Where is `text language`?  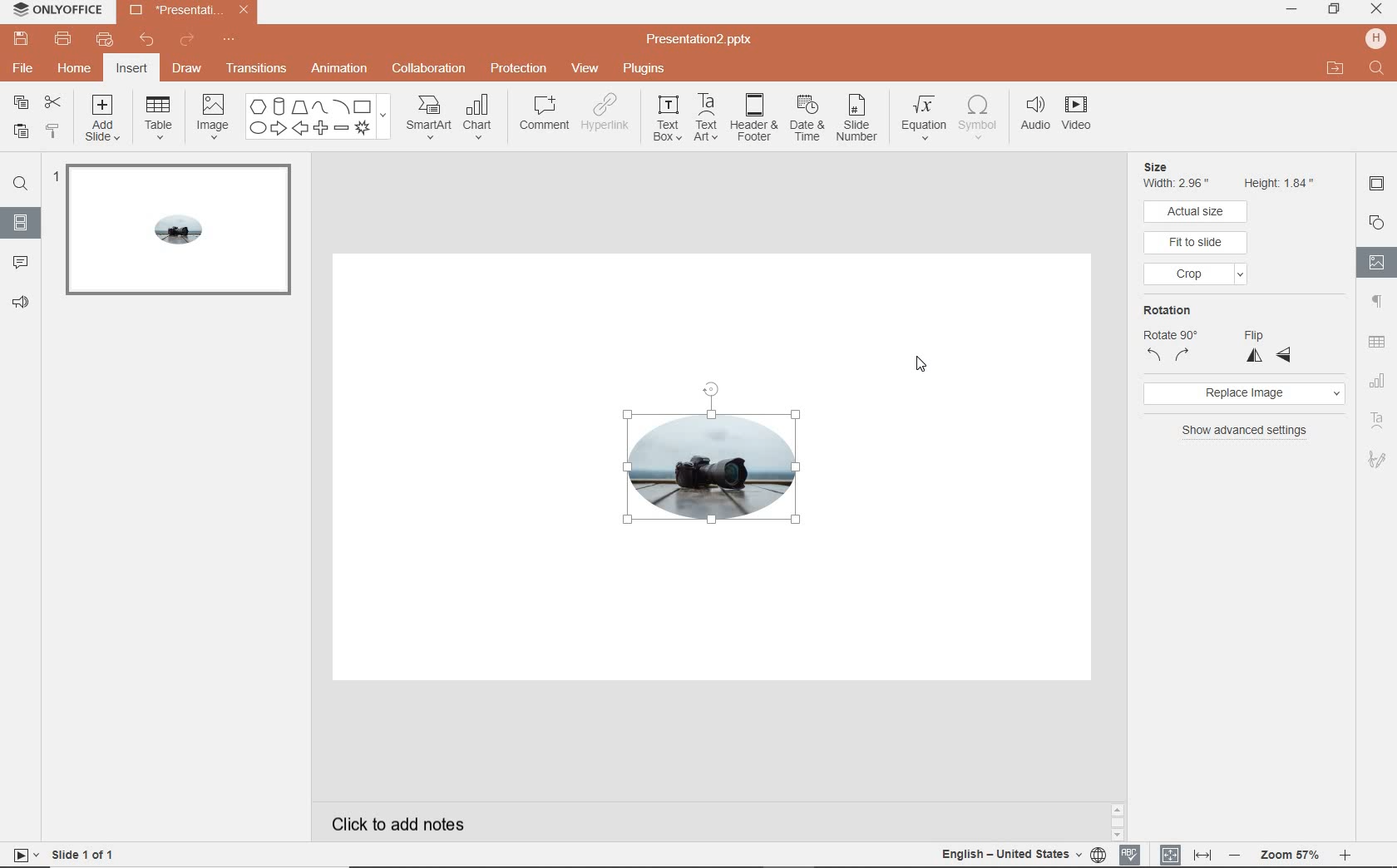
text language is located at coordinates (1025, 855).